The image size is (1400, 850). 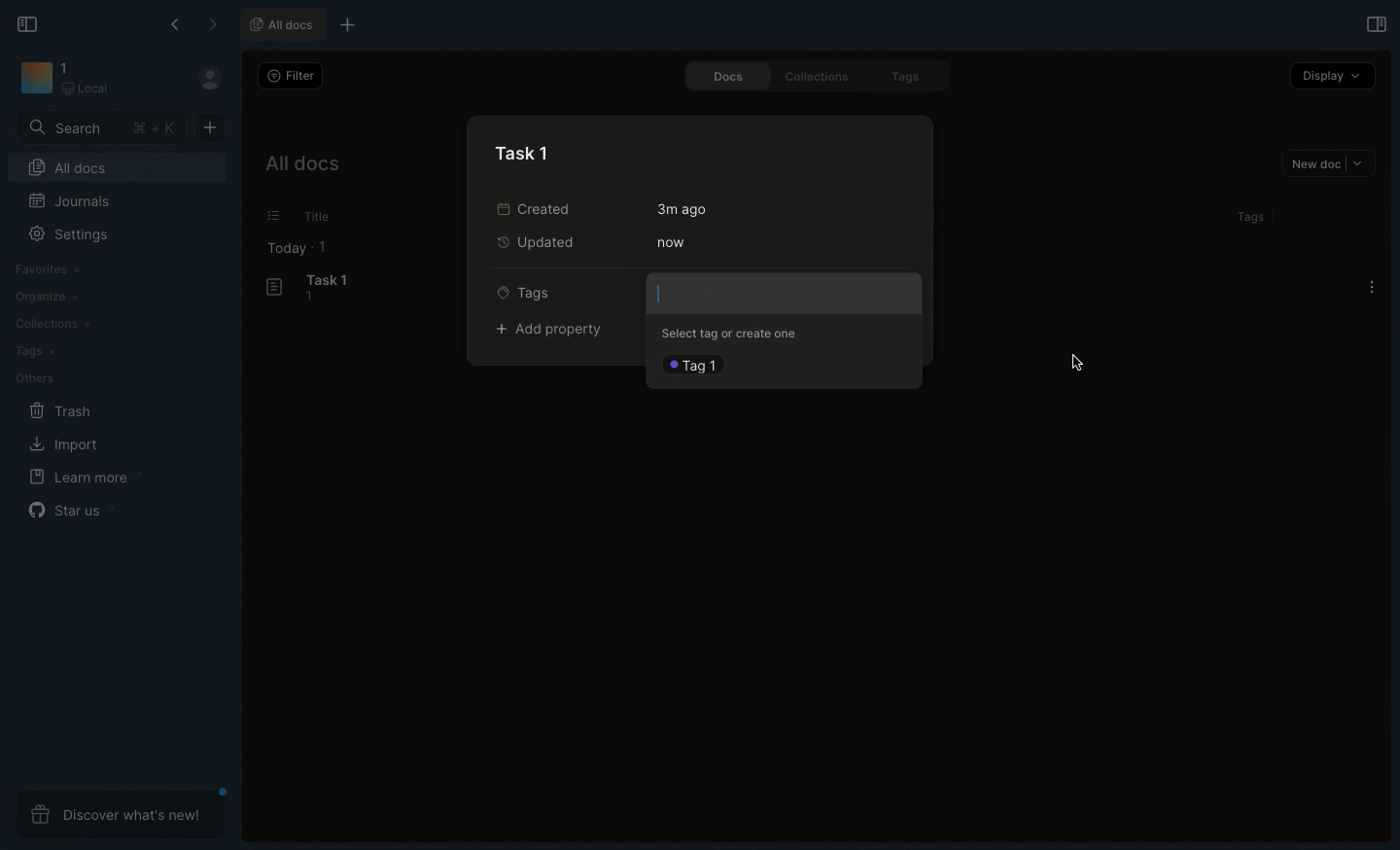 I want to click on Collections, so click(x=52, y=326).